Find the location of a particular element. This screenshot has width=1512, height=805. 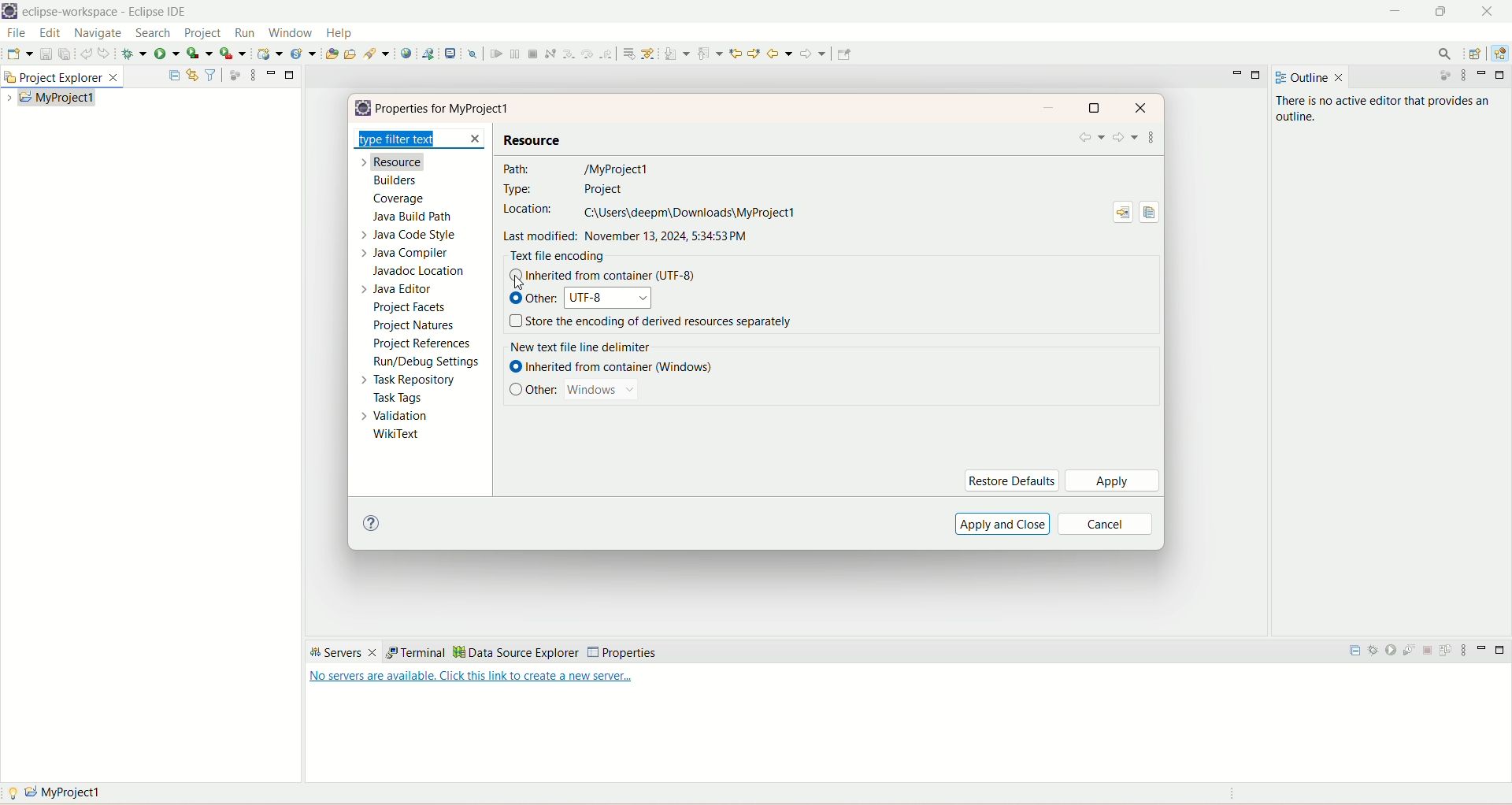

close is located at coordinates (1142, 106).